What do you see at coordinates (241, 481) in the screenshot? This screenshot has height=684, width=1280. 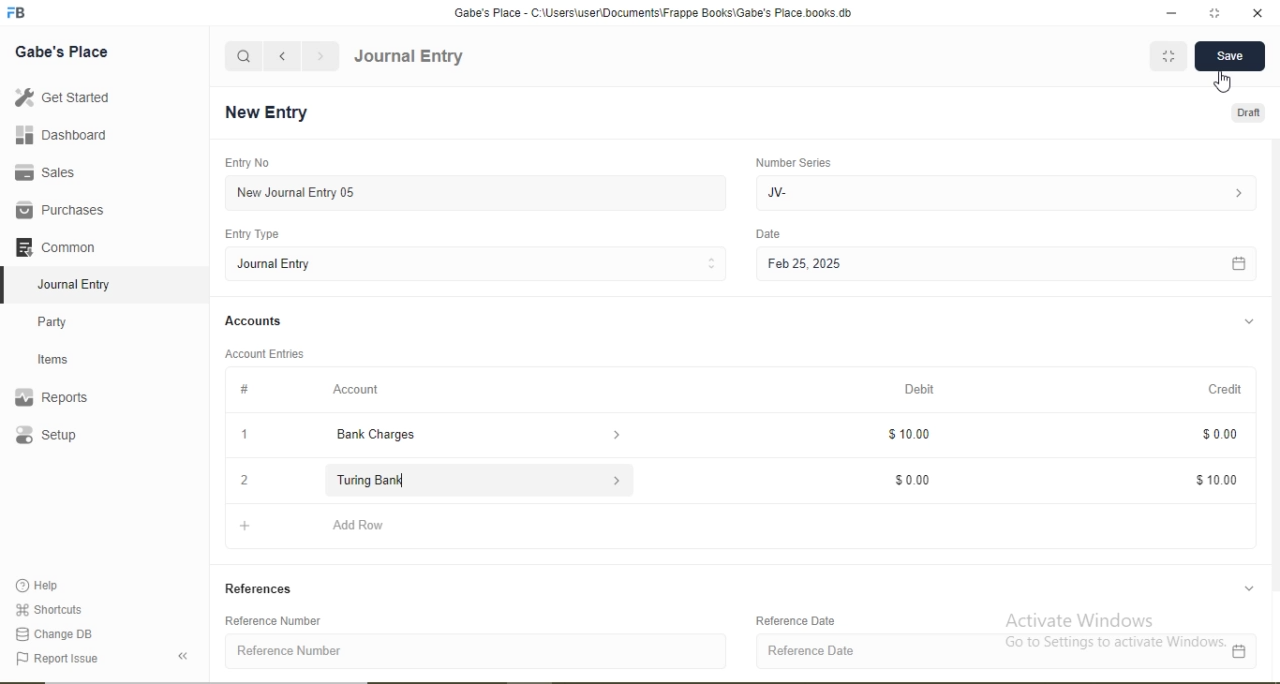 I see `2` at bounding box center [241, 481].